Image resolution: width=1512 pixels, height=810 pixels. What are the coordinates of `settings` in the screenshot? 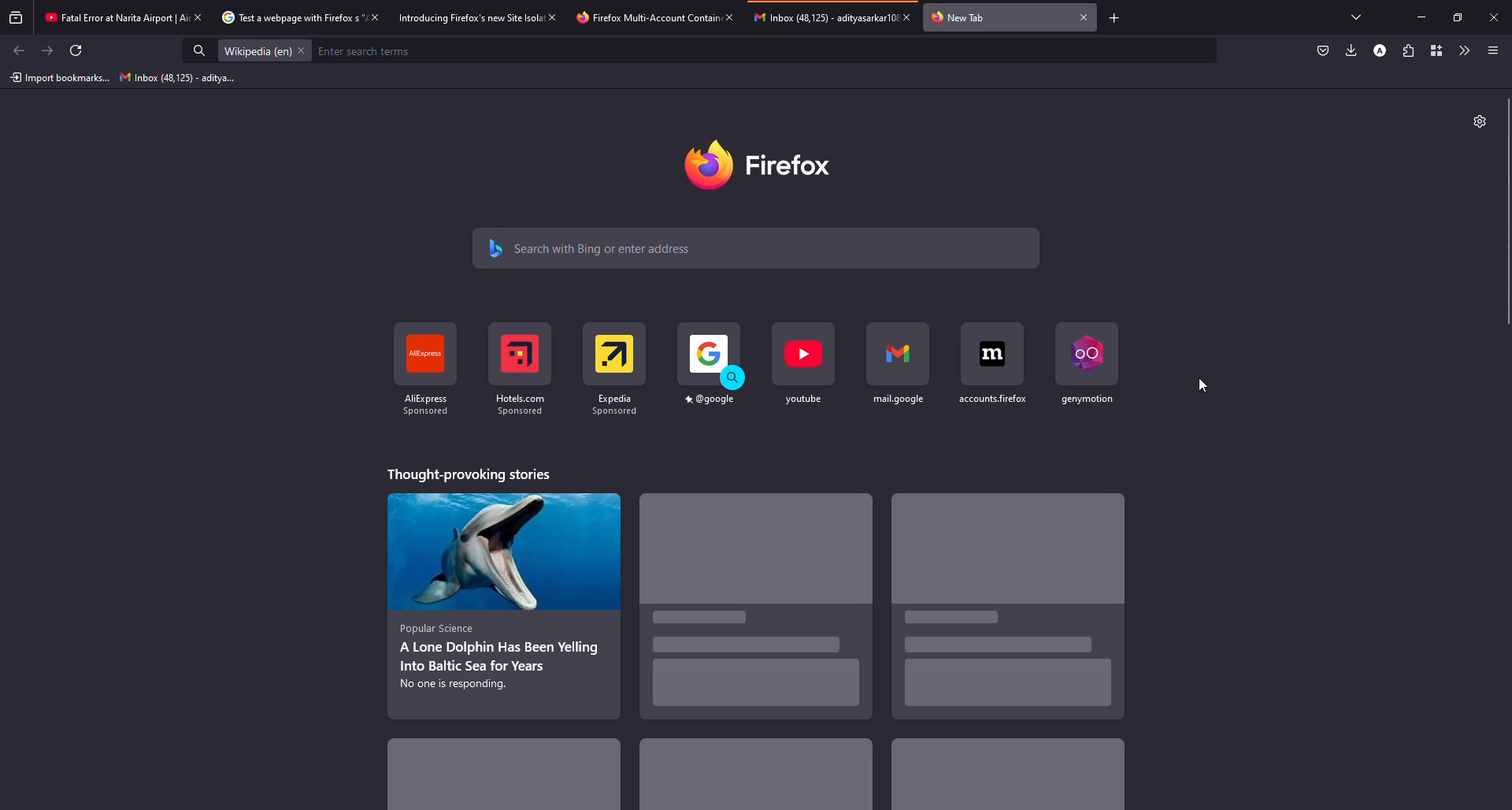 It's located at (1479, 121).